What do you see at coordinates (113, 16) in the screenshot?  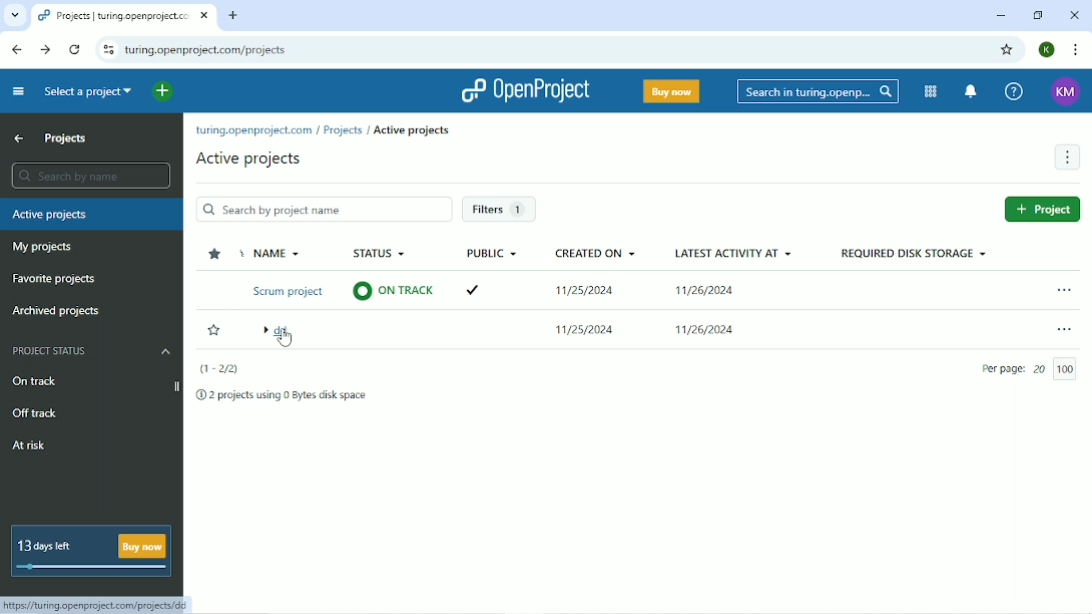 I see `Projects | turing.openproject.com` at bounding box center [113, 16].